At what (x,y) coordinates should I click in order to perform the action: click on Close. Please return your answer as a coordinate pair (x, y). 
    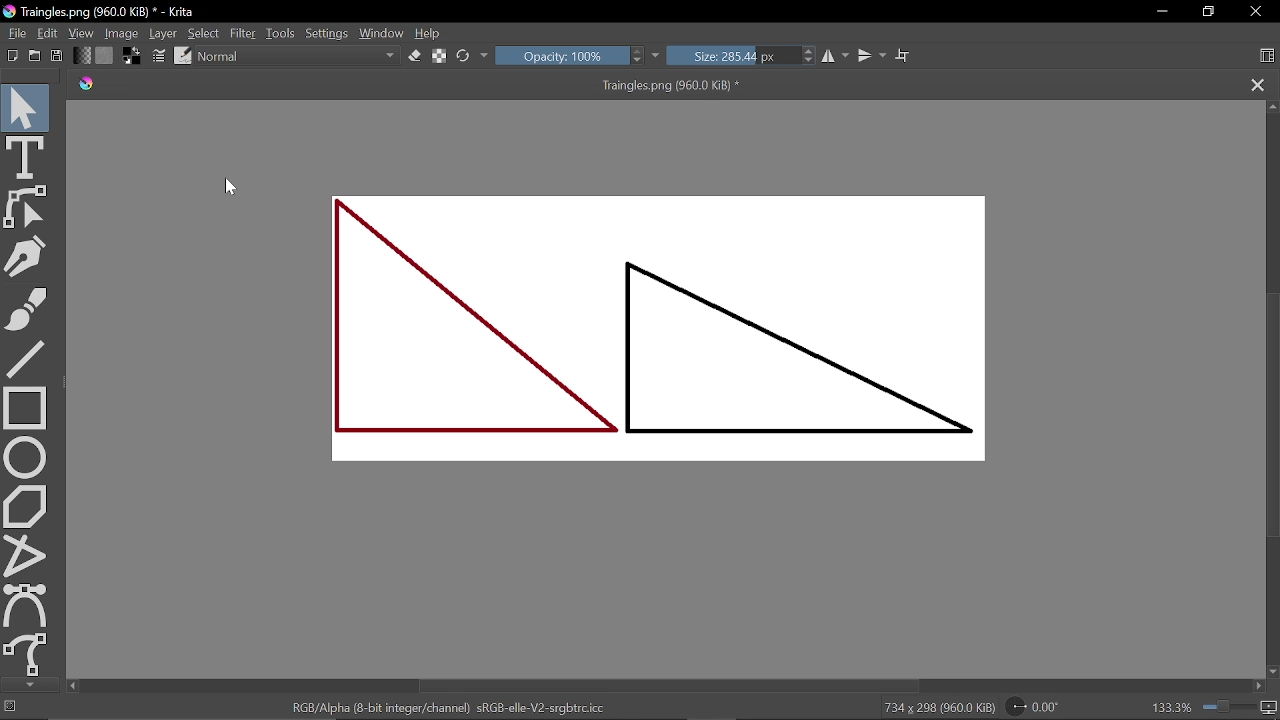
    Looking at the image, I should click on (1253, 12).